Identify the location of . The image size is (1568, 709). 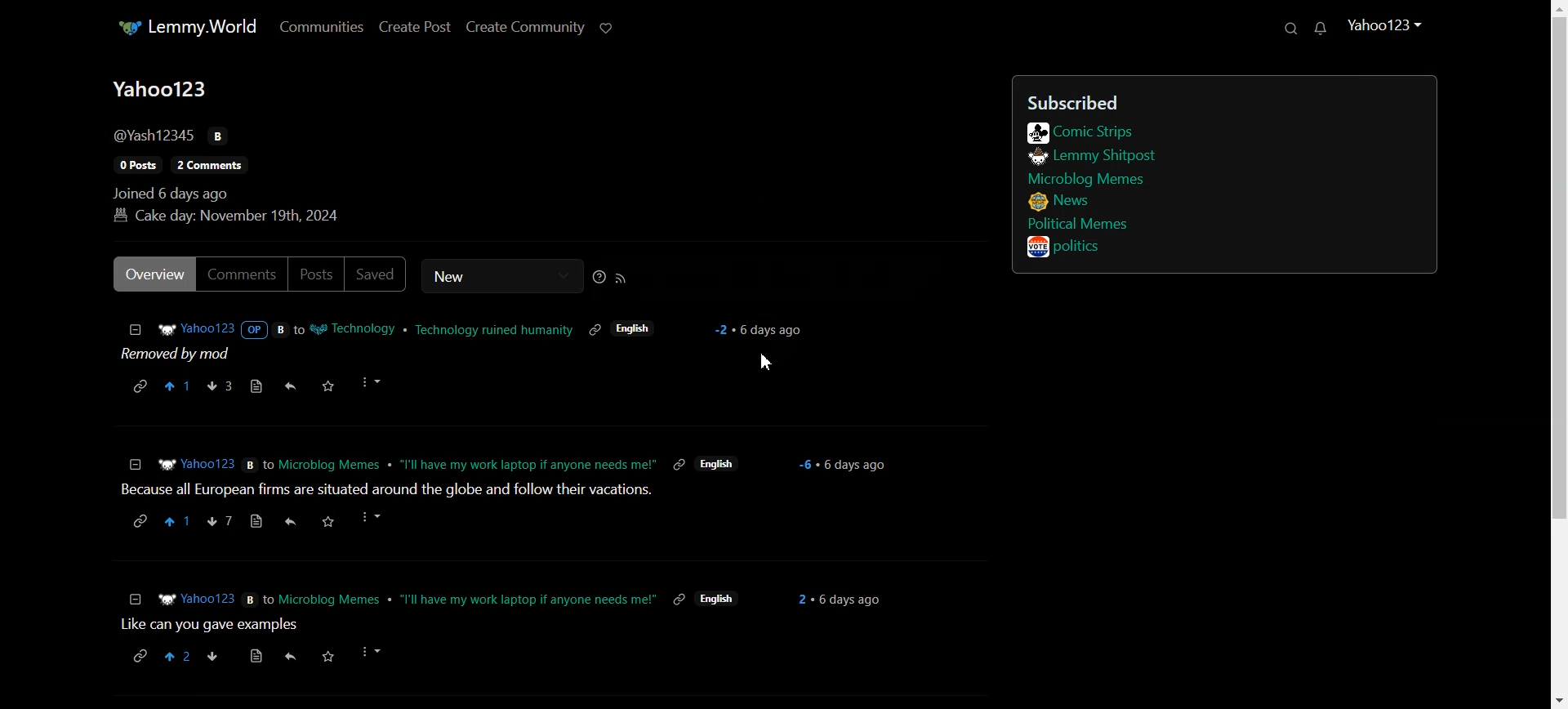
(370, 652).